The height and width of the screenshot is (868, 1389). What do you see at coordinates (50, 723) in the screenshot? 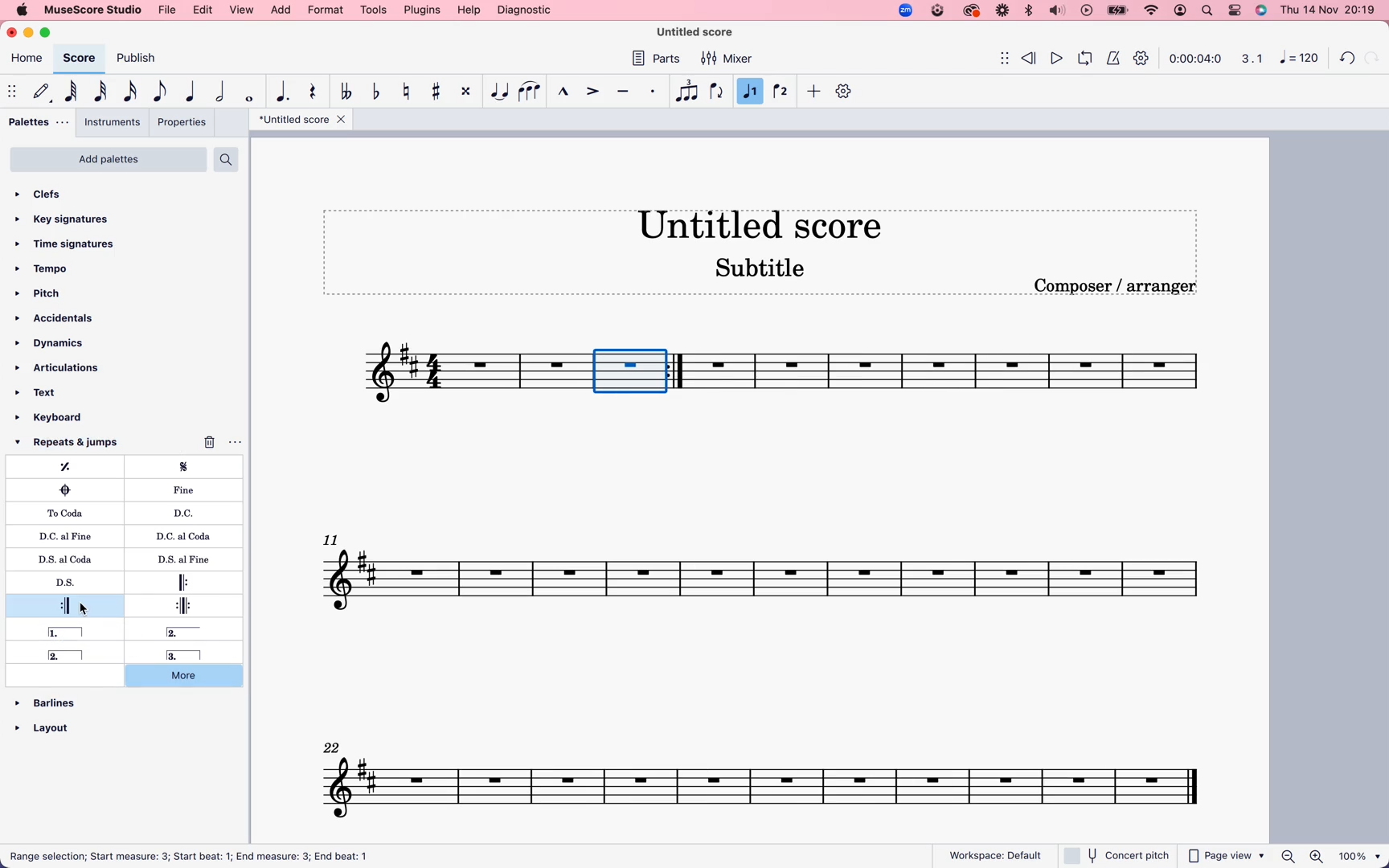
I see `Layout` at bounding box center [50, 723].